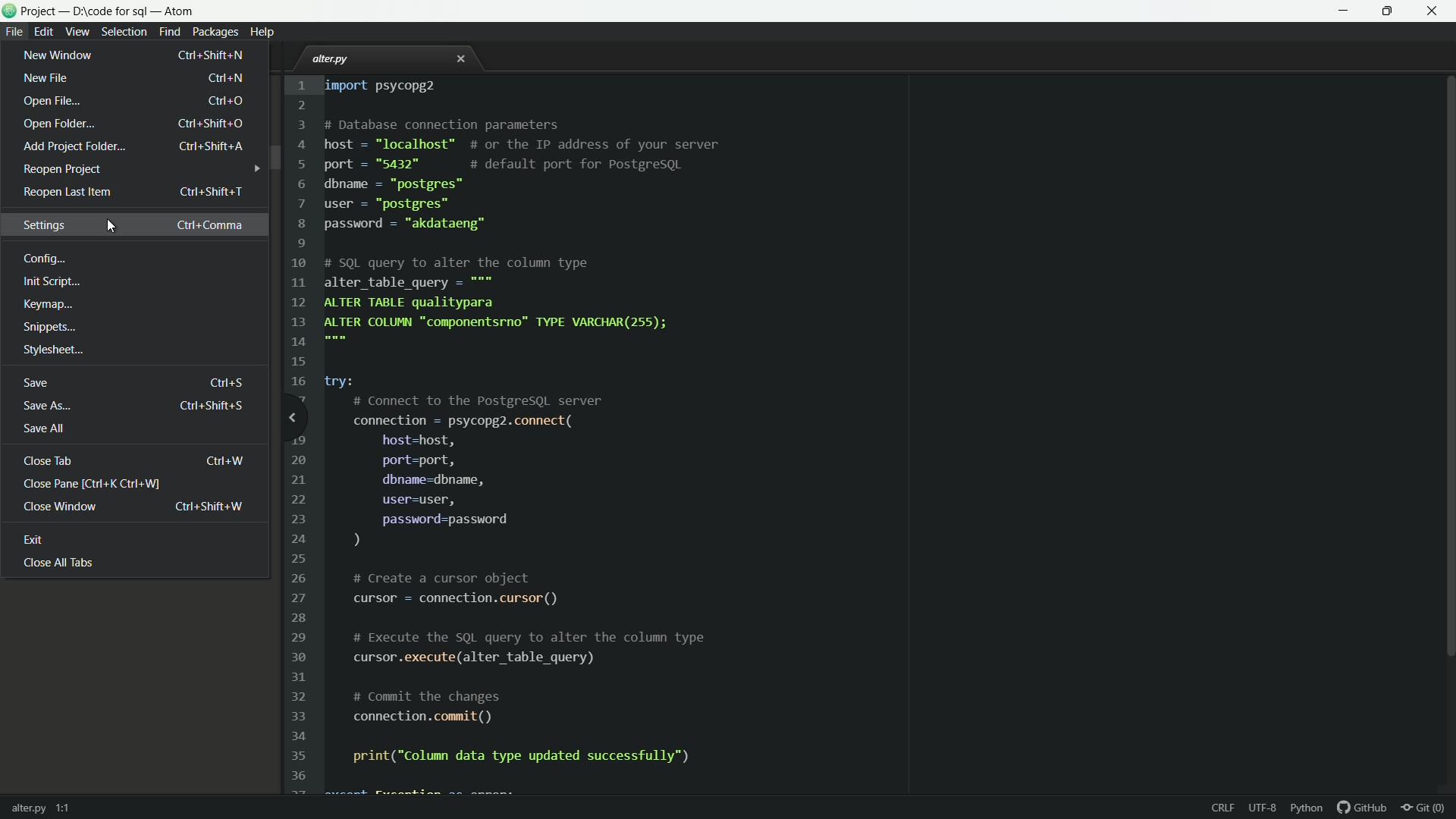 Image resolution: width=1456 pixels, height=819 pixels. What do you see at coordinates (1345, 11) in the screenshot?
I see `minimize` at bounding box center [1345, 11].